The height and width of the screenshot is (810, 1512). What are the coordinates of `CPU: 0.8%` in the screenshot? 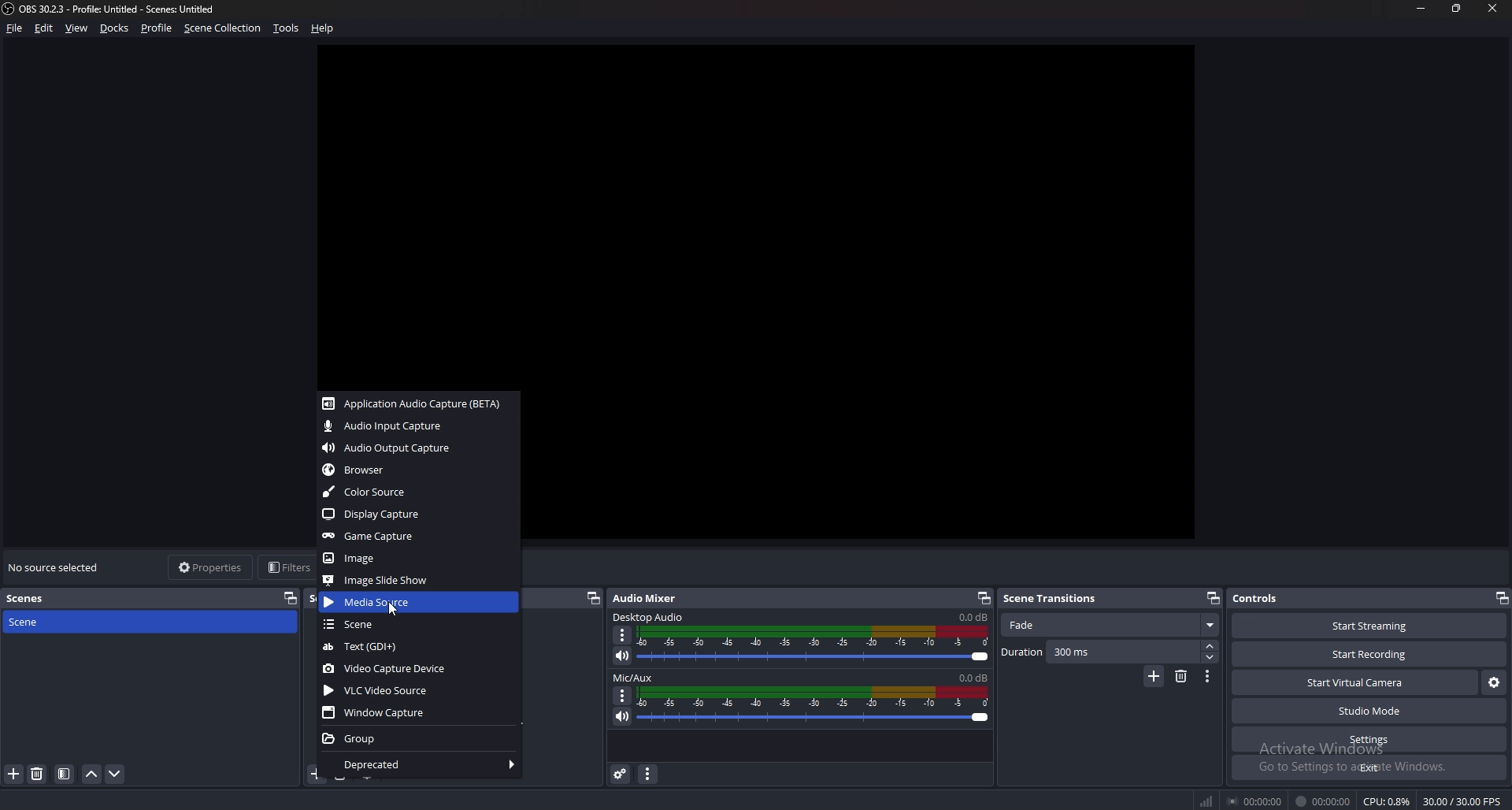 It's located at (1386, 801).